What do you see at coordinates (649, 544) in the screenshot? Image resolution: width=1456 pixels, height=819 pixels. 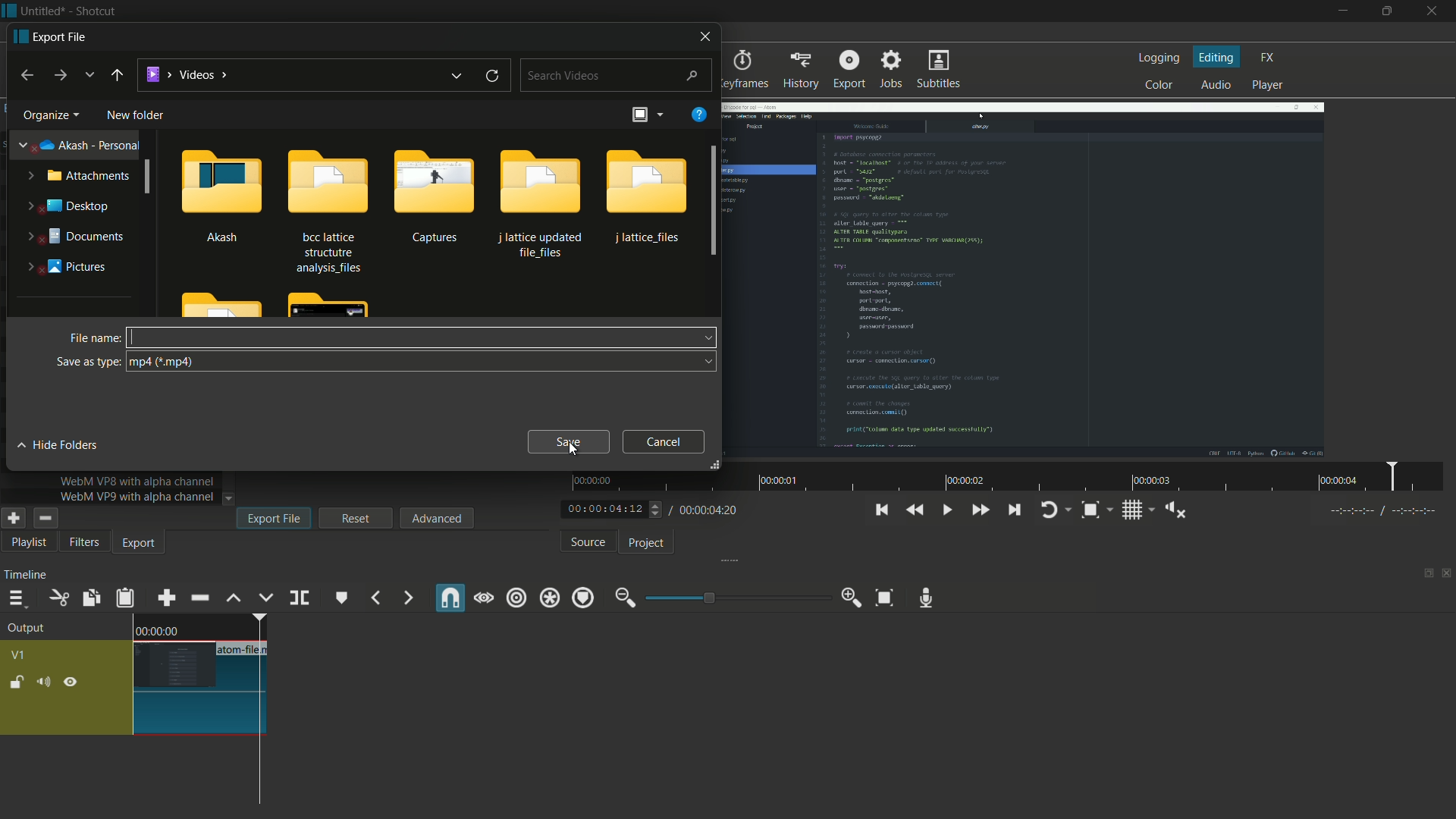 I see `project` at bounding box center [649, 544].